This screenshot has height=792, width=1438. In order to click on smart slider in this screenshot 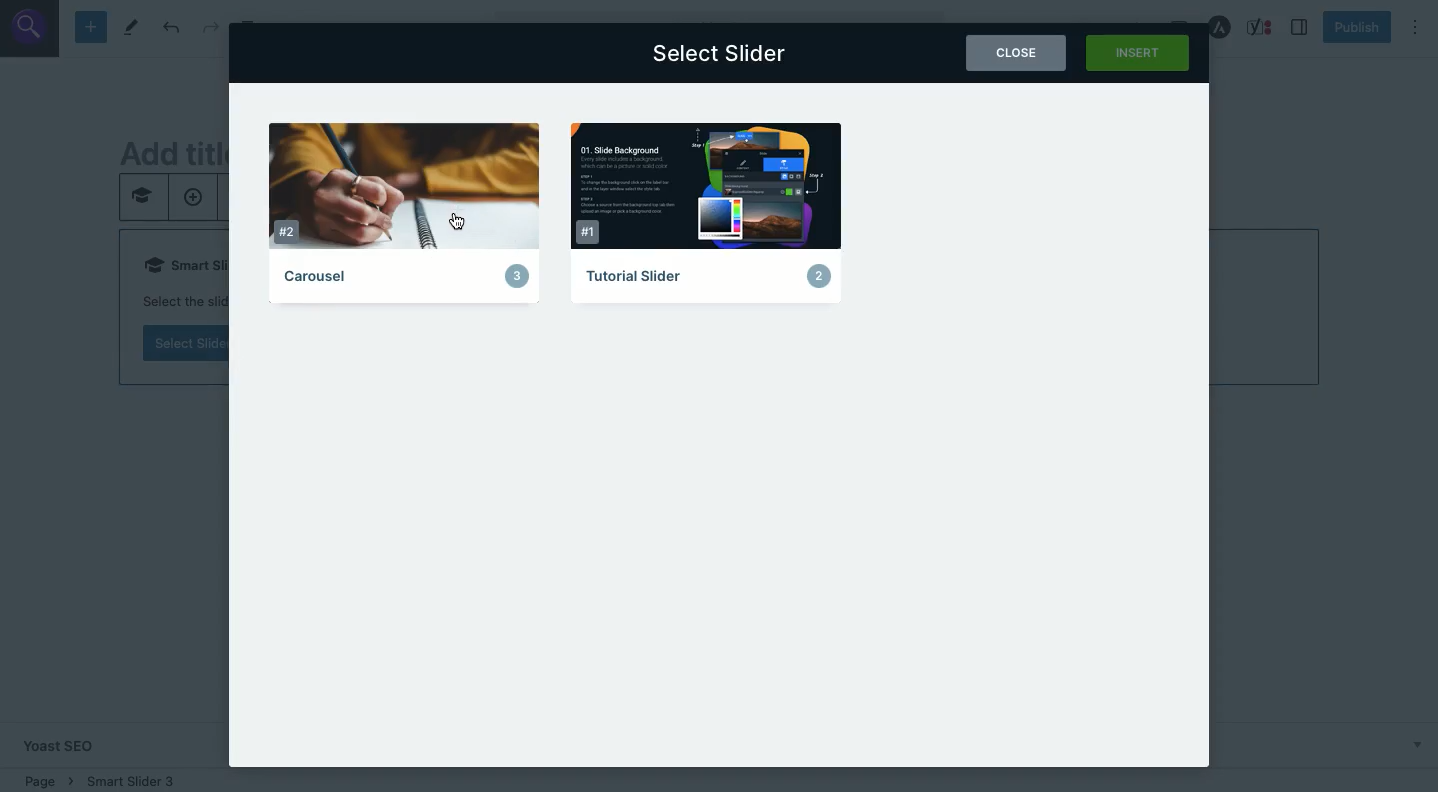, I will do `click(141, 200)`.